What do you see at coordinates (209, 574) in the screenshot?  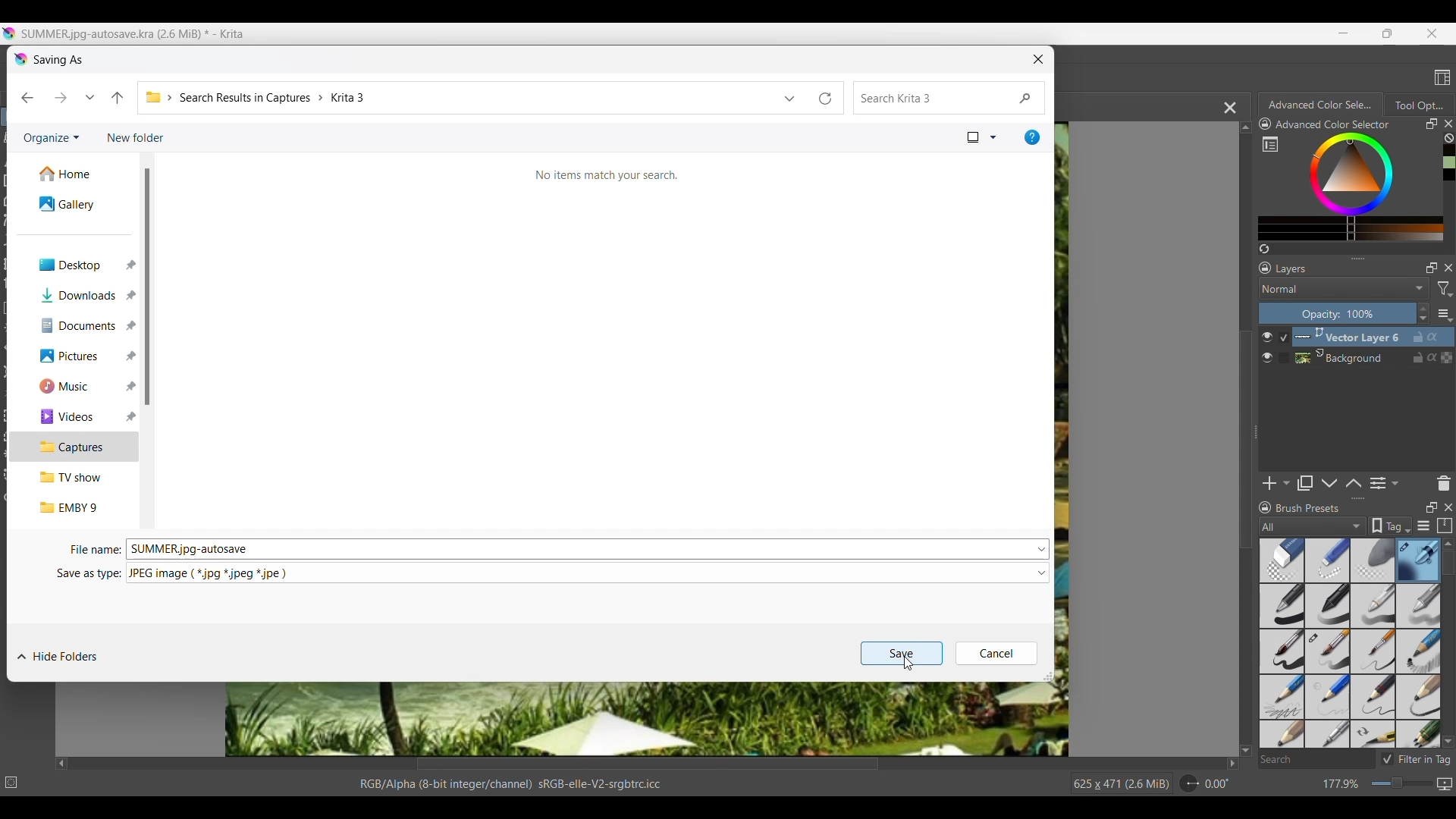 I see `File format changed to selected format` at bounding box center [209, 574].